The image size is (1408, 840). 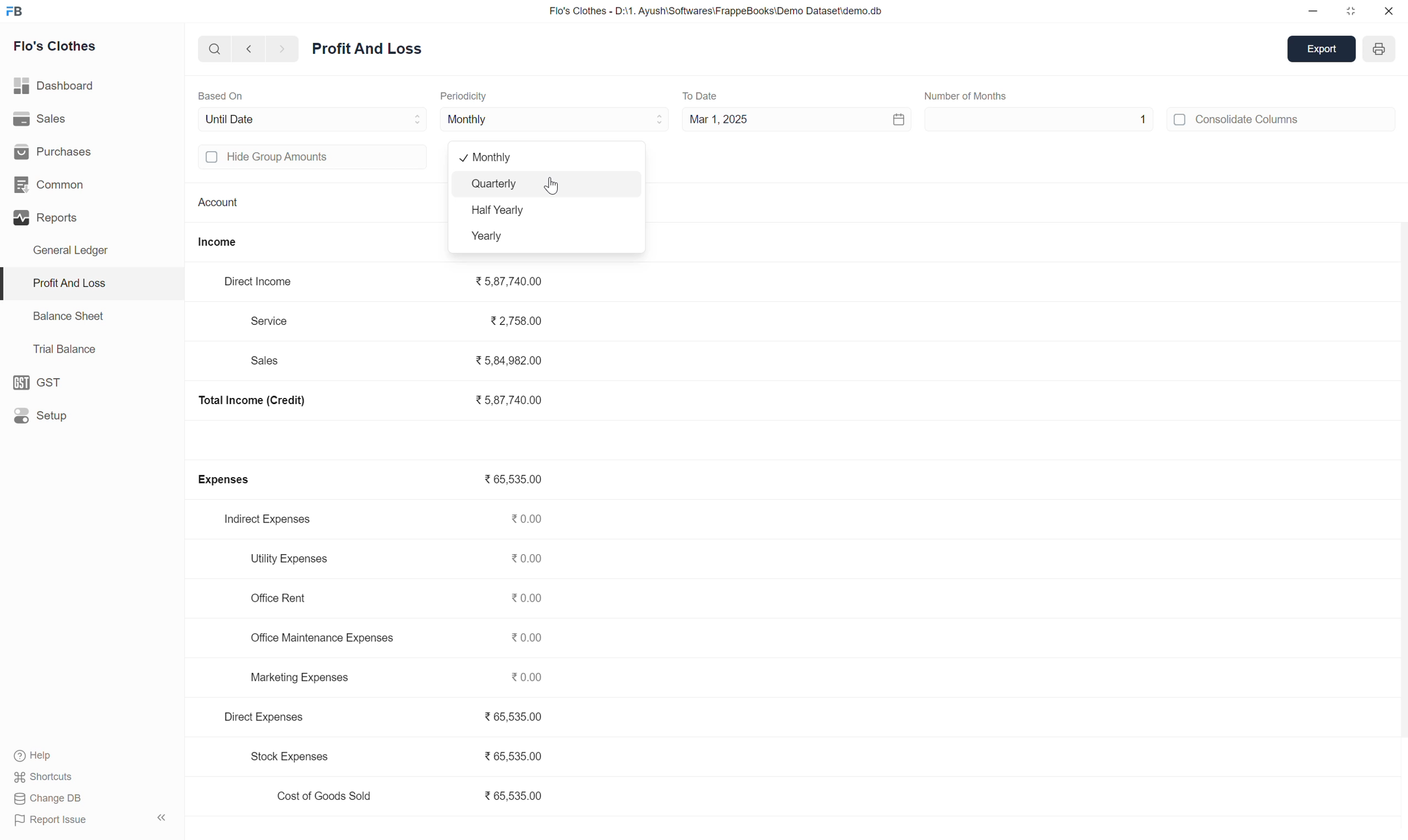 What do you see at coordinates (497, 211) in the screenshot?
I see `Half Yearly` at bounding box center [497, 211].